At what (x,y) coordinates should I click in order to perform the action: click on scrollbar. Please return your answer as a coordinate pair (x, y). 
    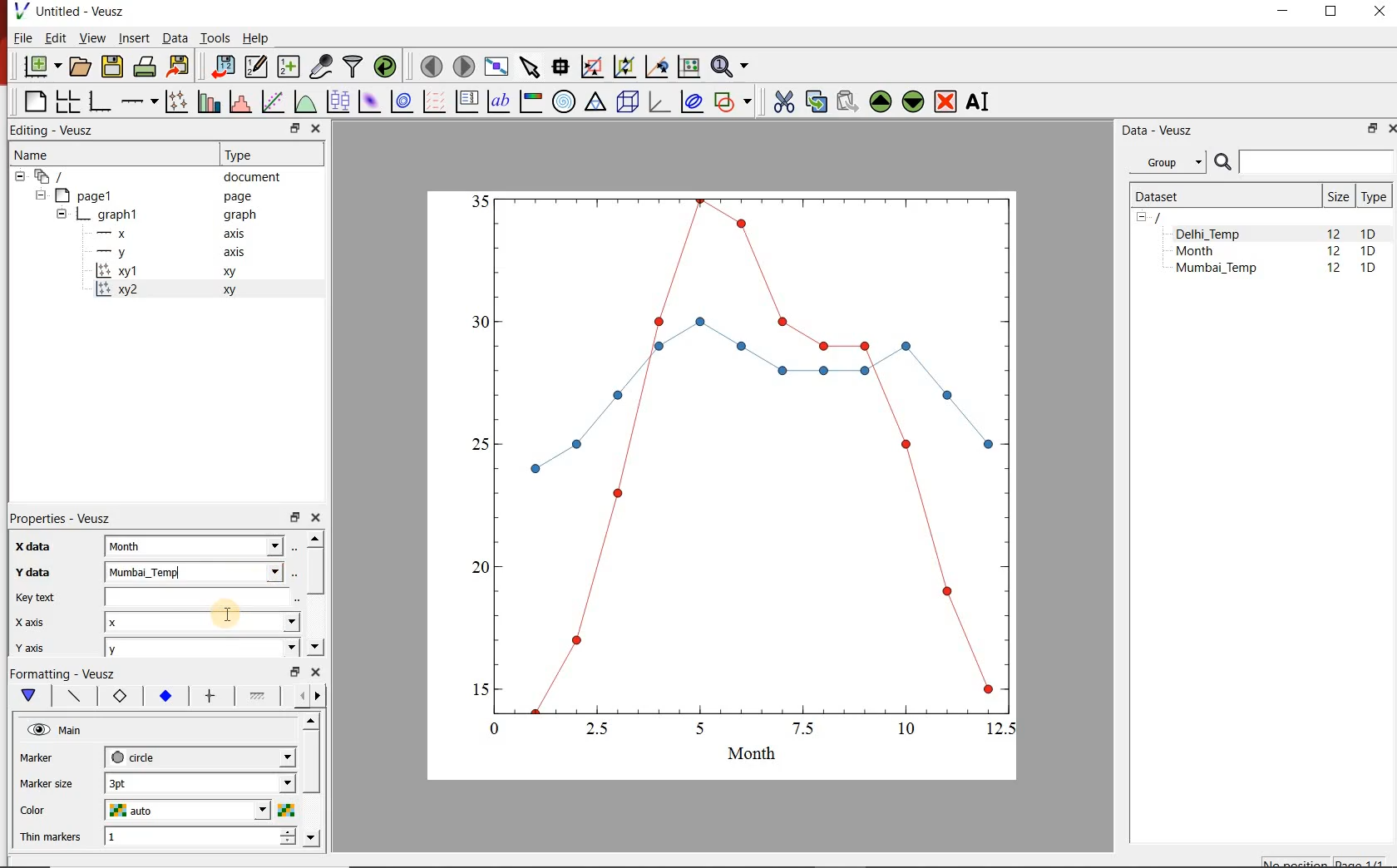
    Looking at the image, I should click on (313, 782).